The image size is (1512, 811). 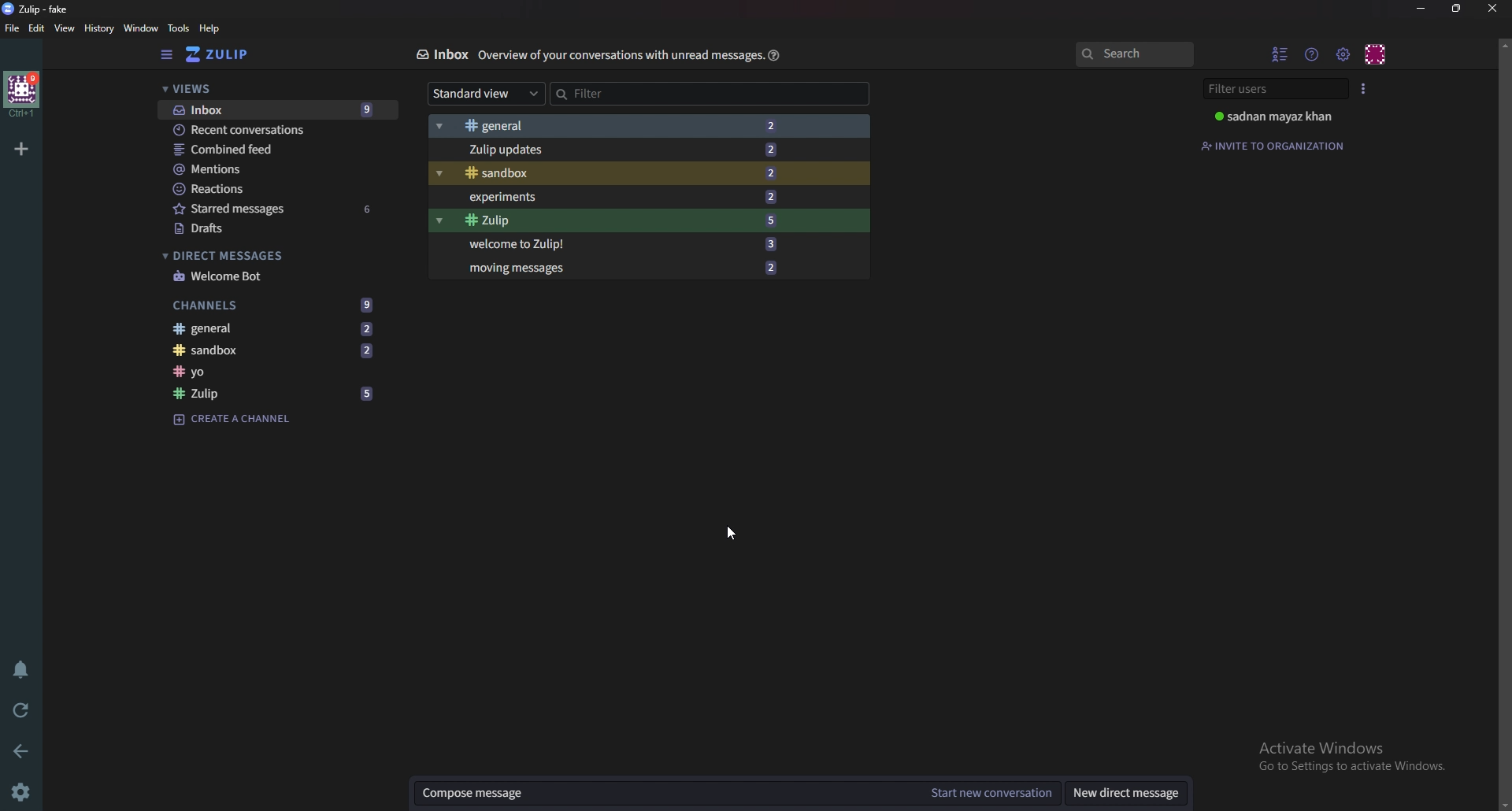 What do you see at coordinates (486, 94) in the screenshot?
I see `Standard view` at bounding box center [486, 94].